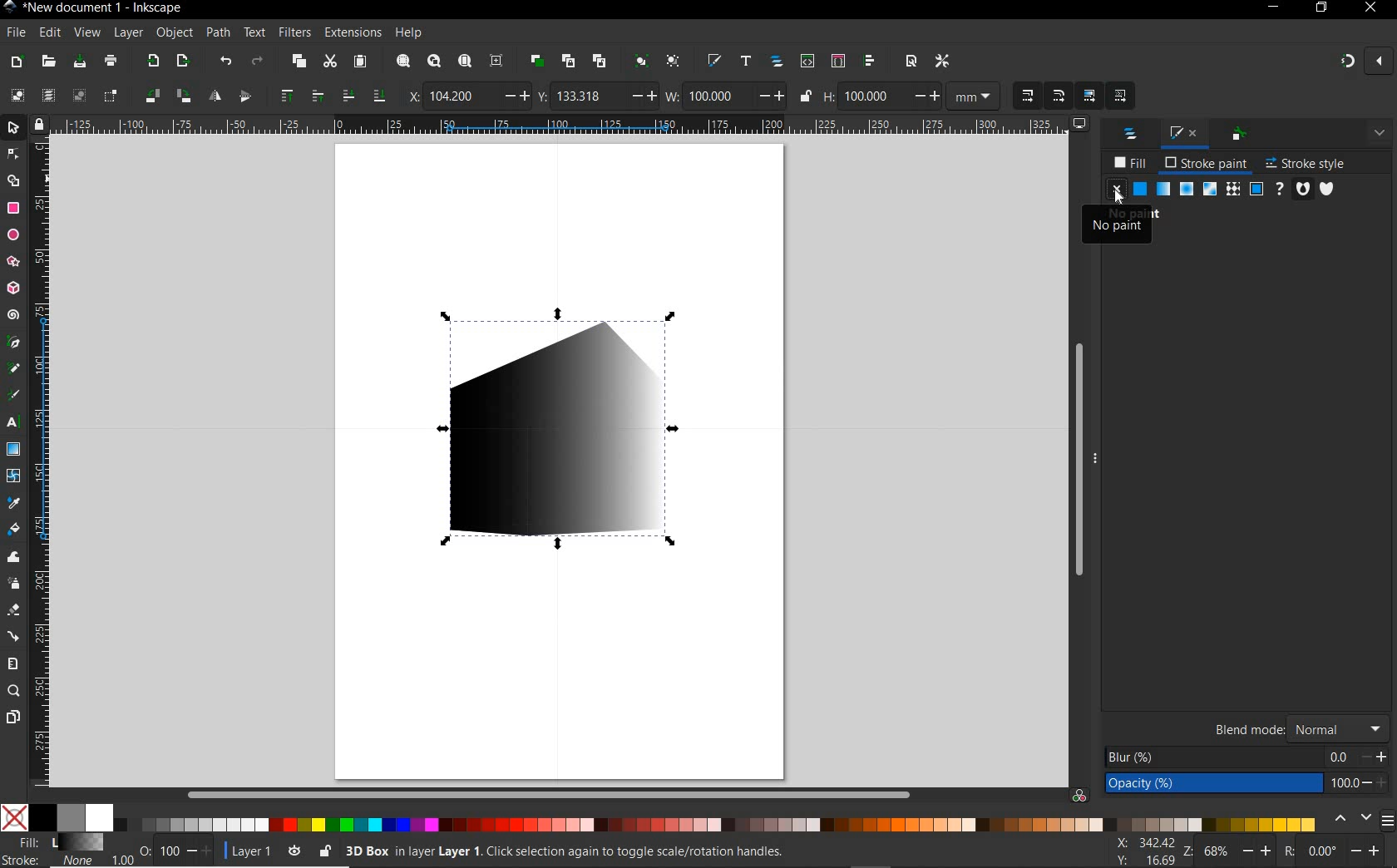 The width and height of the screenshot is (1397, 868). What do you see at coordinates (244, 96) in the screenshot?
I see `OBJECT FLIP` at bounding box center [244, 96].